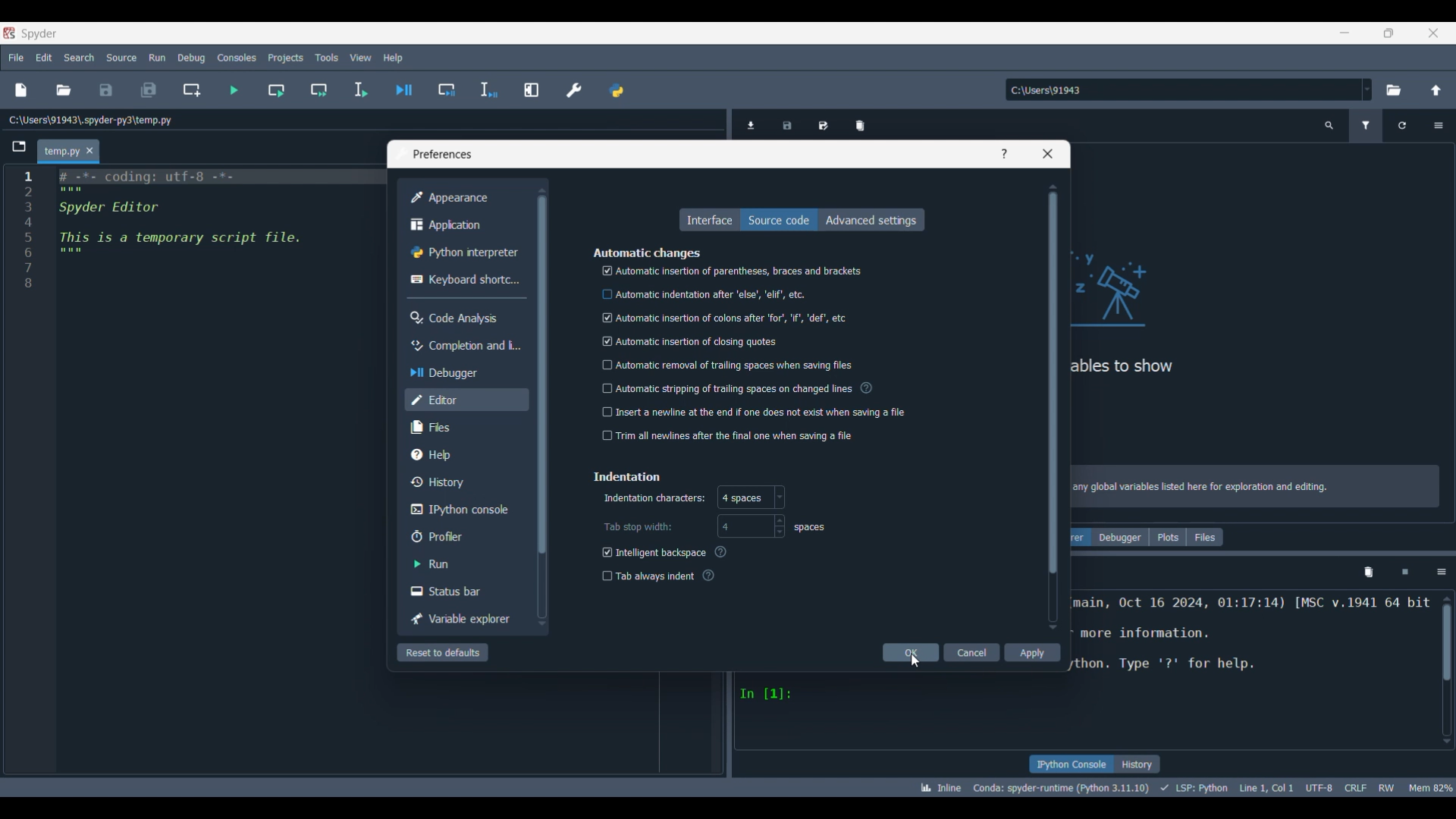 The height and width of the screenshot is (819, 1456). What do you see at coordinates (709, 219) in the screenshot?
I see `Interface, highlighted as currect selection` at bounding box center [709, 219].